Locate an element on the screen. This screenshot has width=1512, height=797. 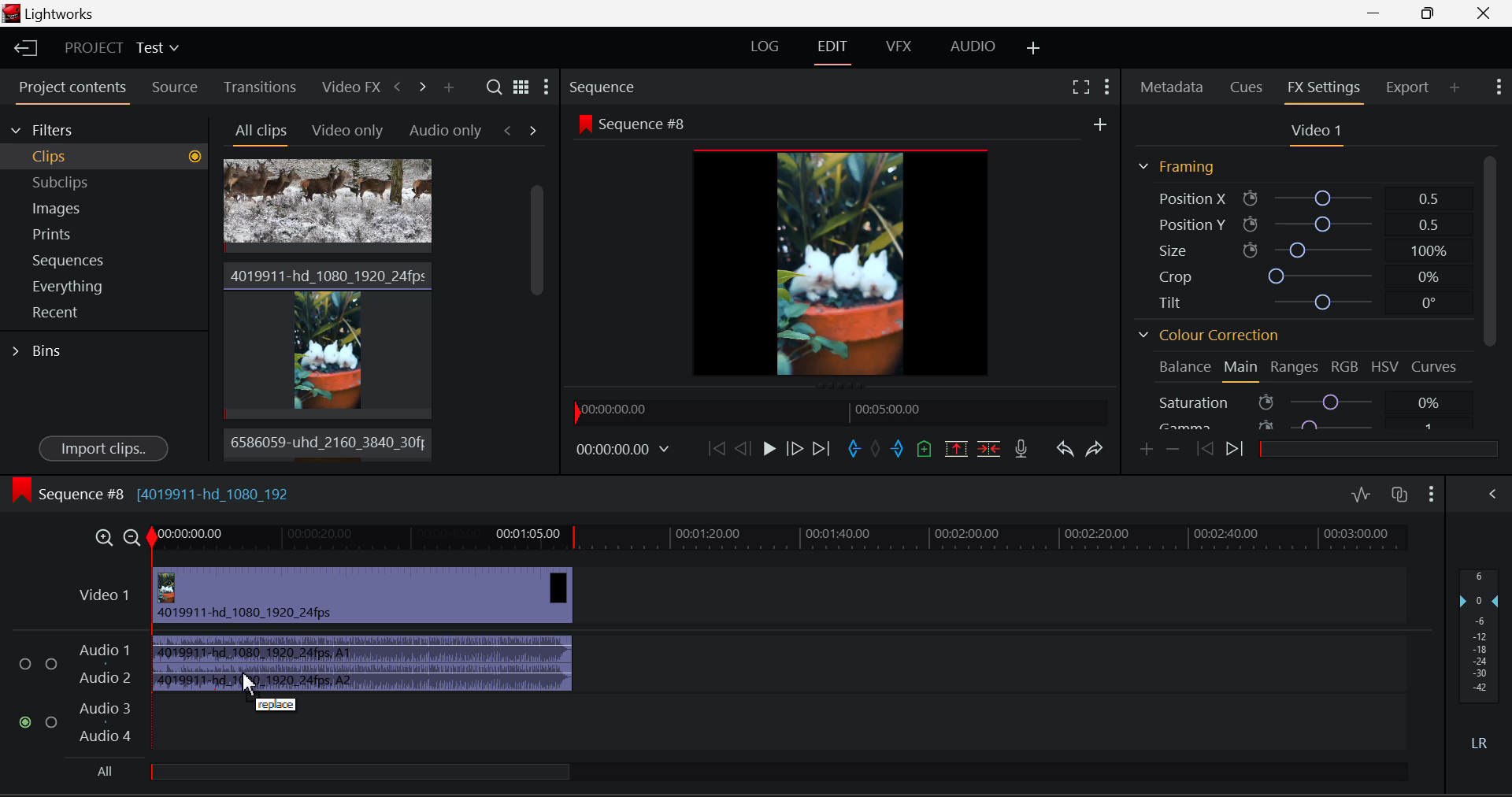
Project Timeline Navigator is located at coordinates (841, 409).